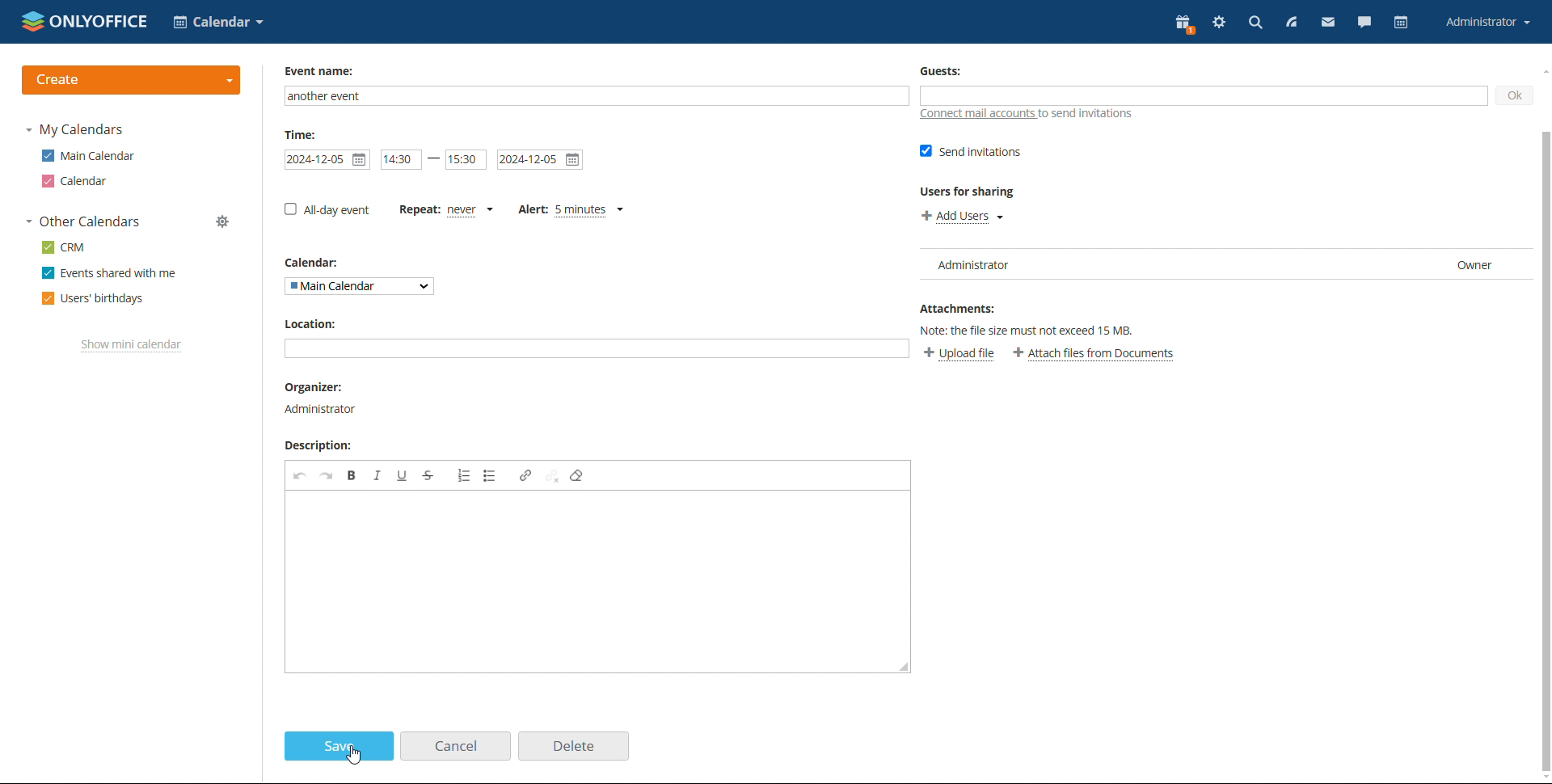  I want to click on add guests, so click(1204, 95).